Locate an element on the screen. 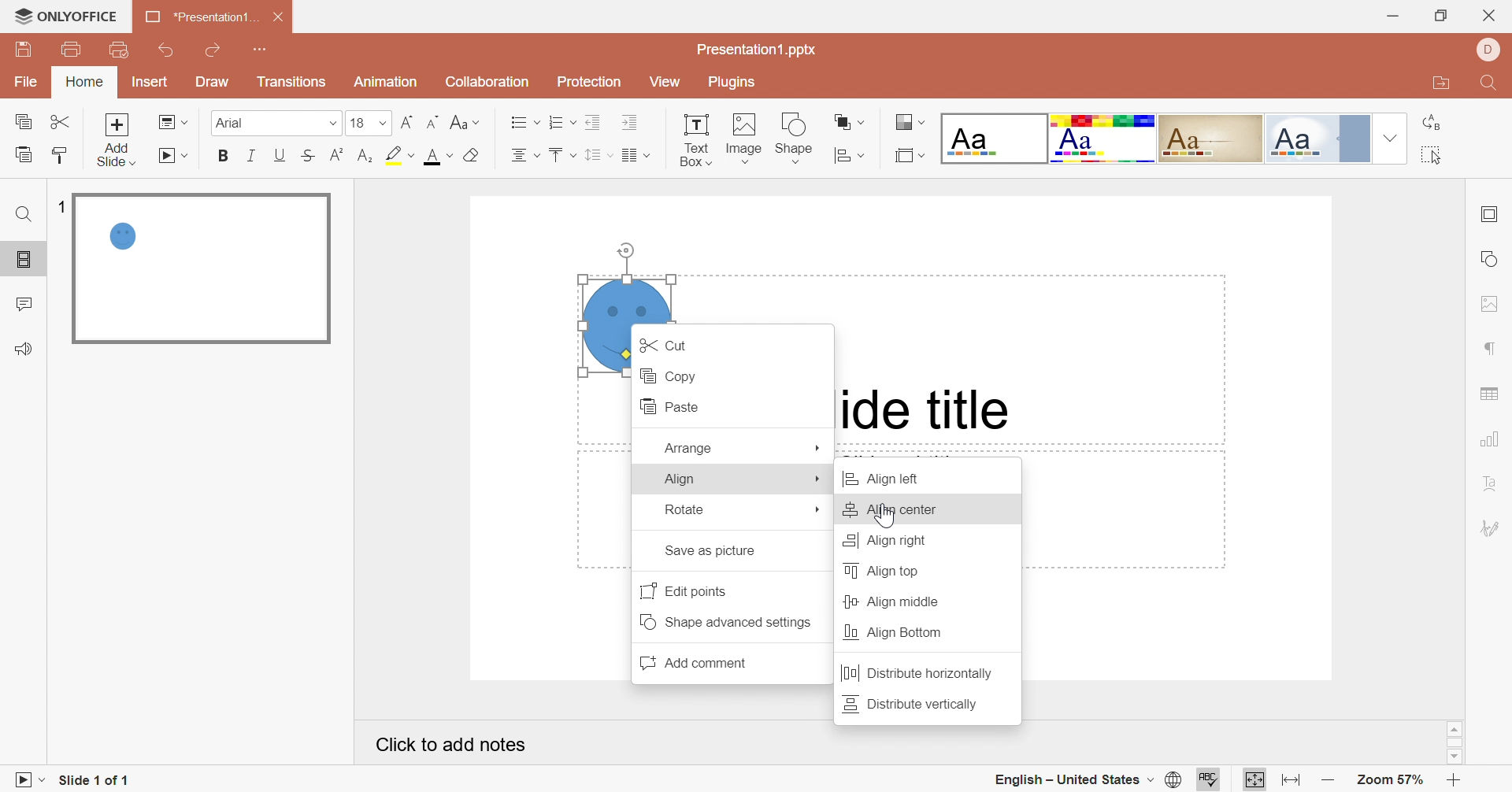  DELL is located at coordinates (1487, 49).